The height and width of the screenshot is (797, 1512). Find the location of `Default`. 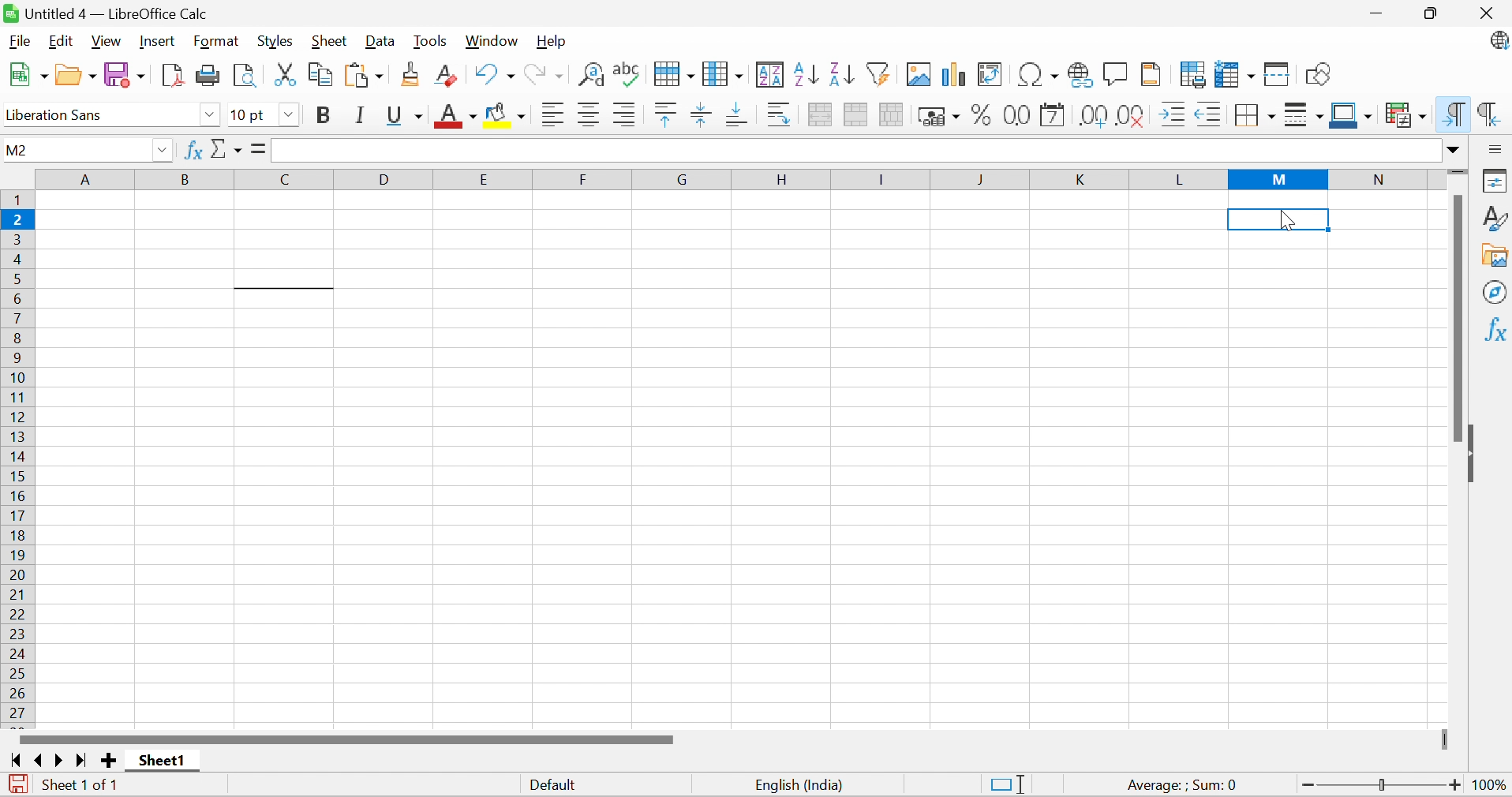

Default is located at coordinates (556, 787).